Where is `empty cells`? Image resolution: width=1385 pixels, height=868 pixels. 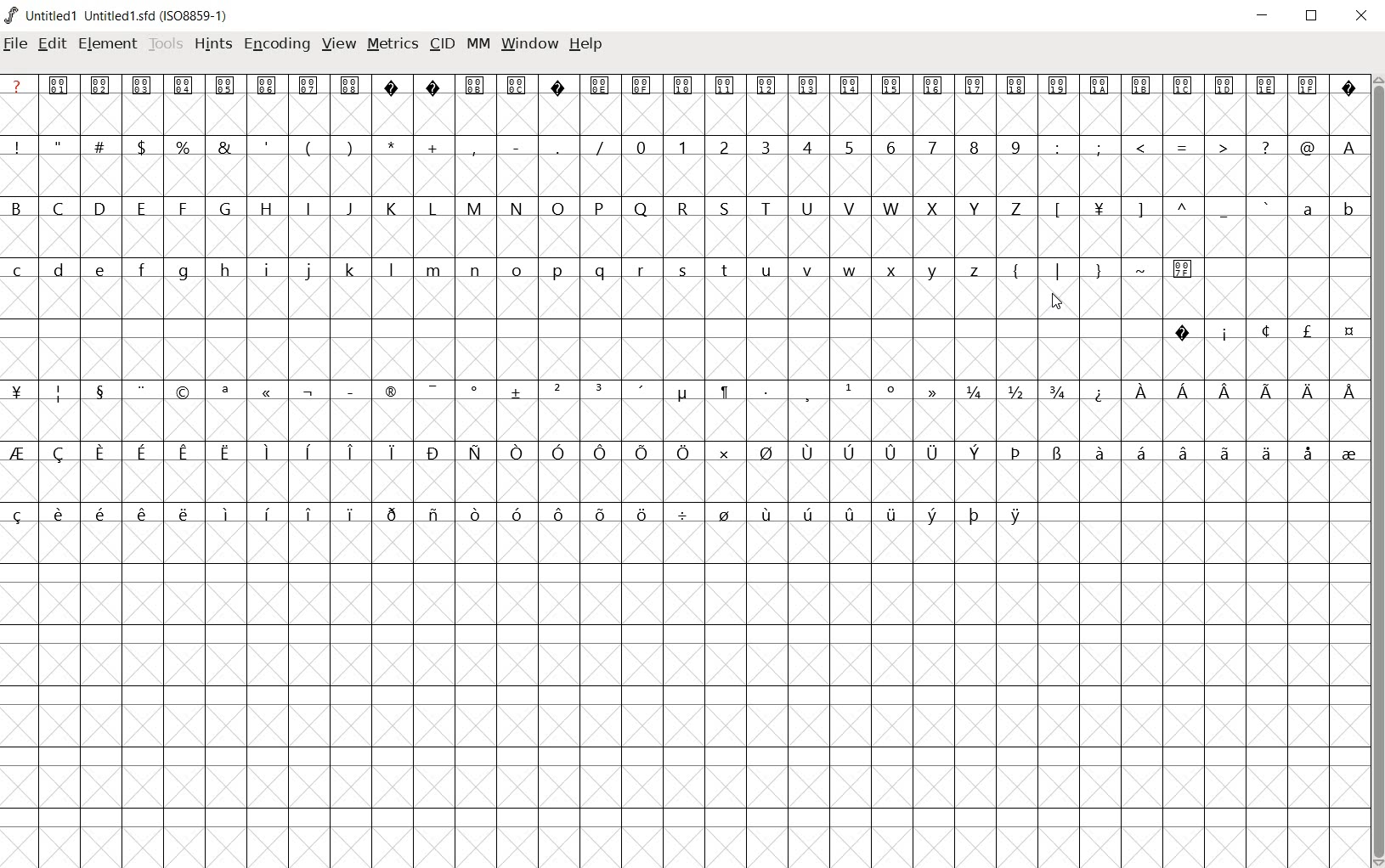 empty cells is located at coordinates (677, 359).